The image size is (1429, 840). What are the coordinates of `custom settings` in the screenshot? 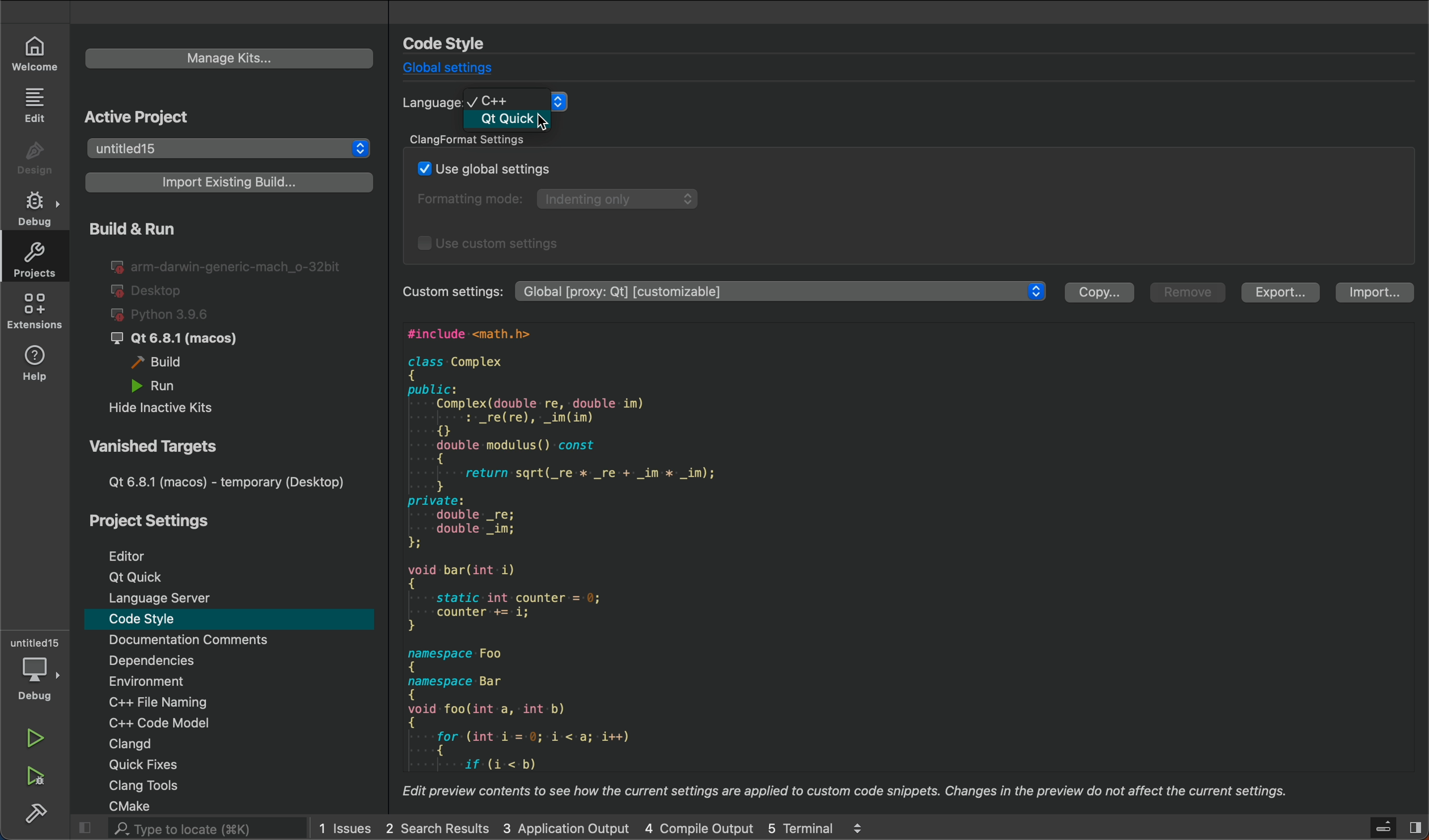 It's located at (450, 291).